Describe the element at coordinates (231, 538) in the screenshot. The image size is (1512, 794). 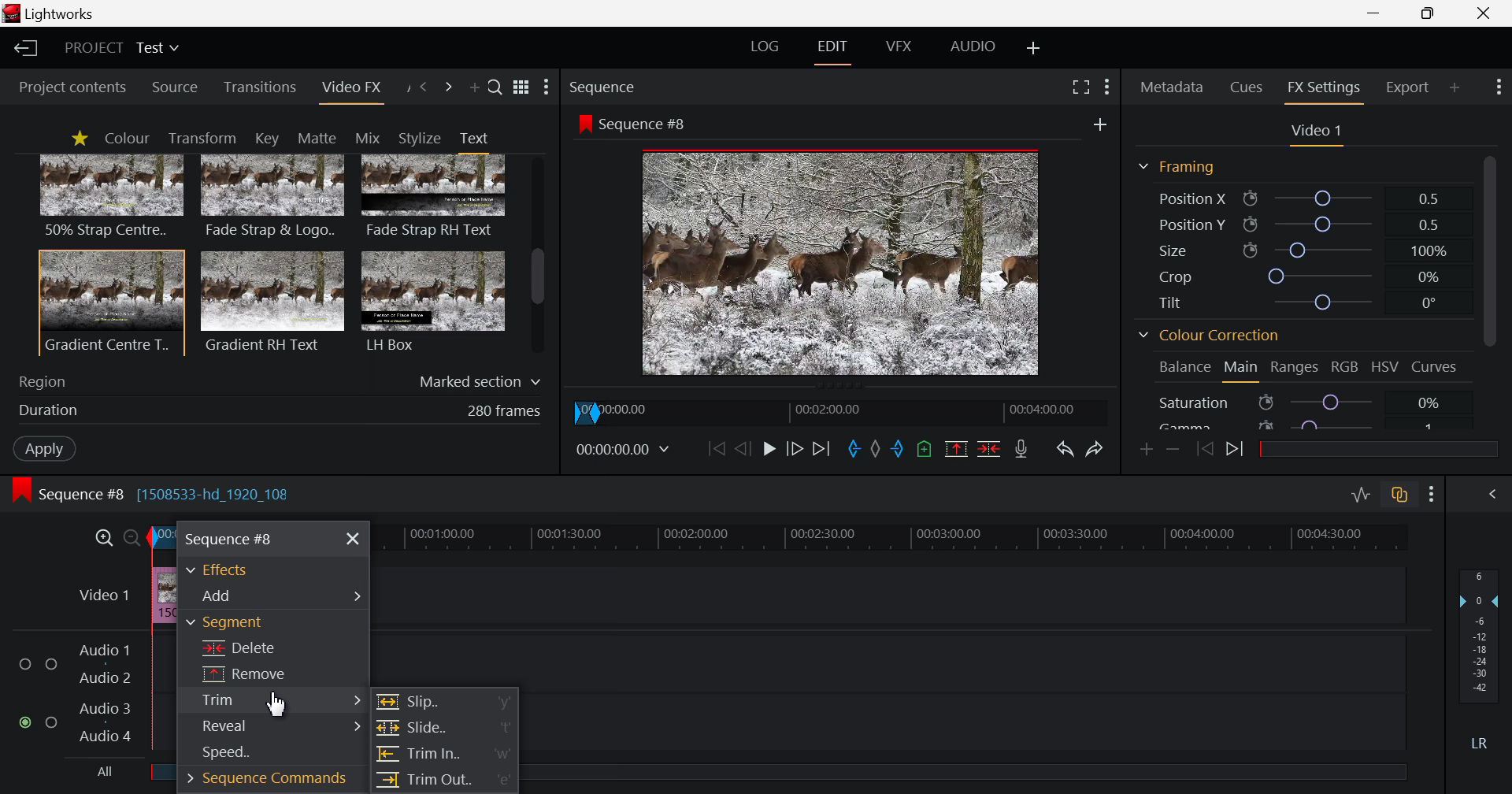
I see `Sequence #8 Menu` at that location.